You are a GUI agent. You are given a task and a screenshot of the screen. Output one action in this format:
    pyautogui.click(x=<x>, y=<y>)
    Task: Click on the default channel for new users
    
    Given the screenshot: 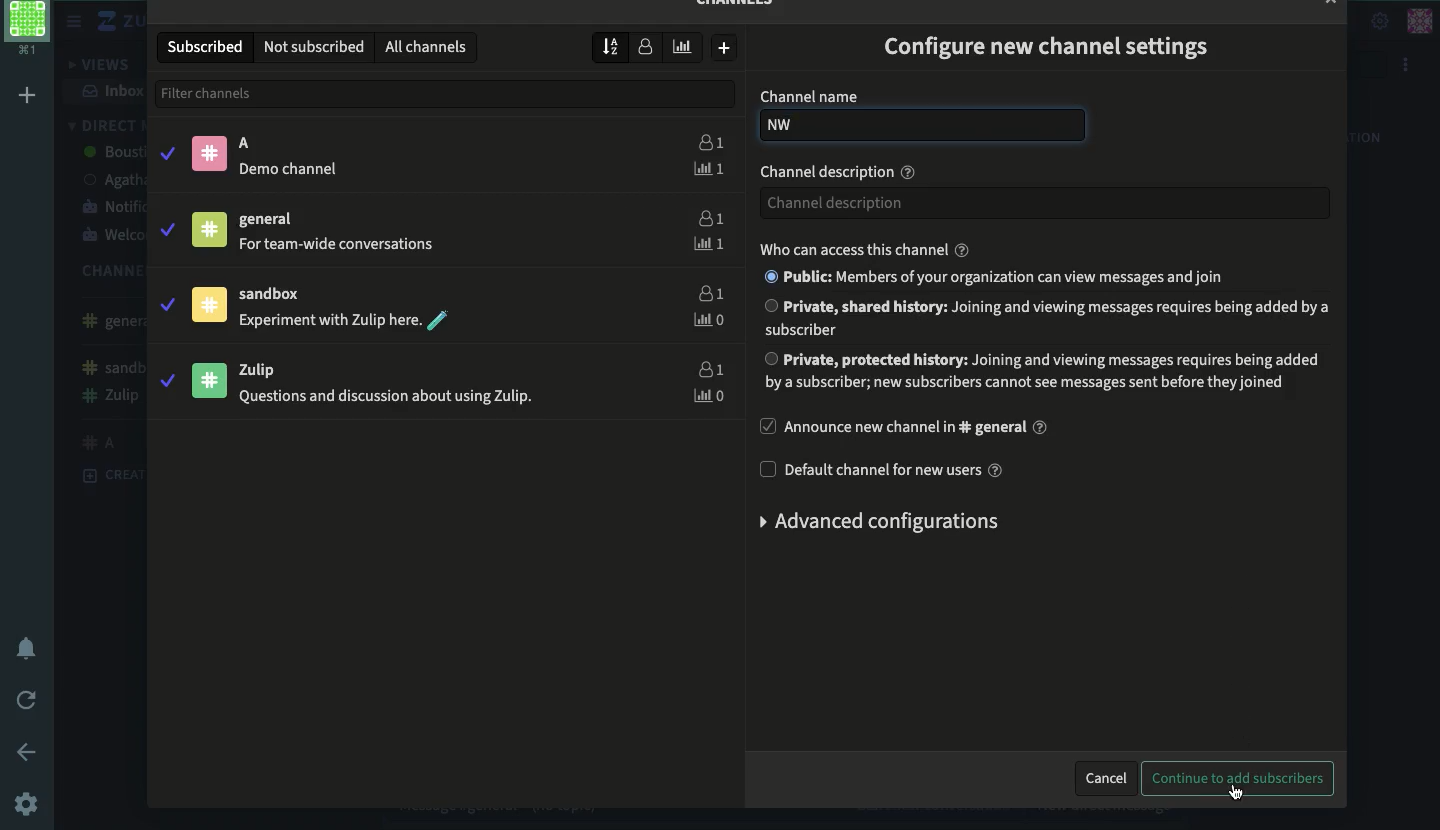 What is the action you would take?
    pyautogui.click(x=886, y=469)
    